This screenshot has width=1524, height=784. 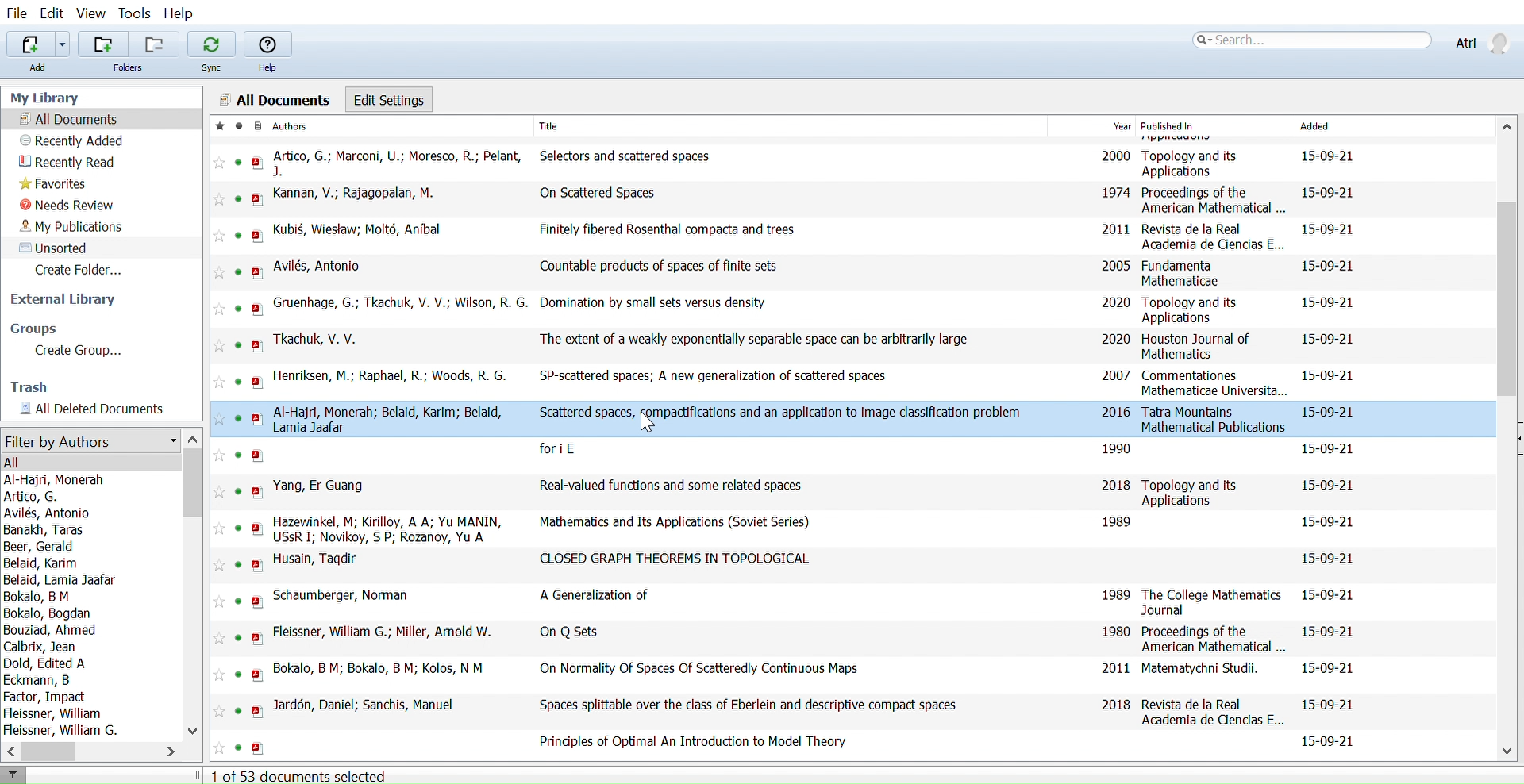 I want to click on Status, so click(x=240, y=163).